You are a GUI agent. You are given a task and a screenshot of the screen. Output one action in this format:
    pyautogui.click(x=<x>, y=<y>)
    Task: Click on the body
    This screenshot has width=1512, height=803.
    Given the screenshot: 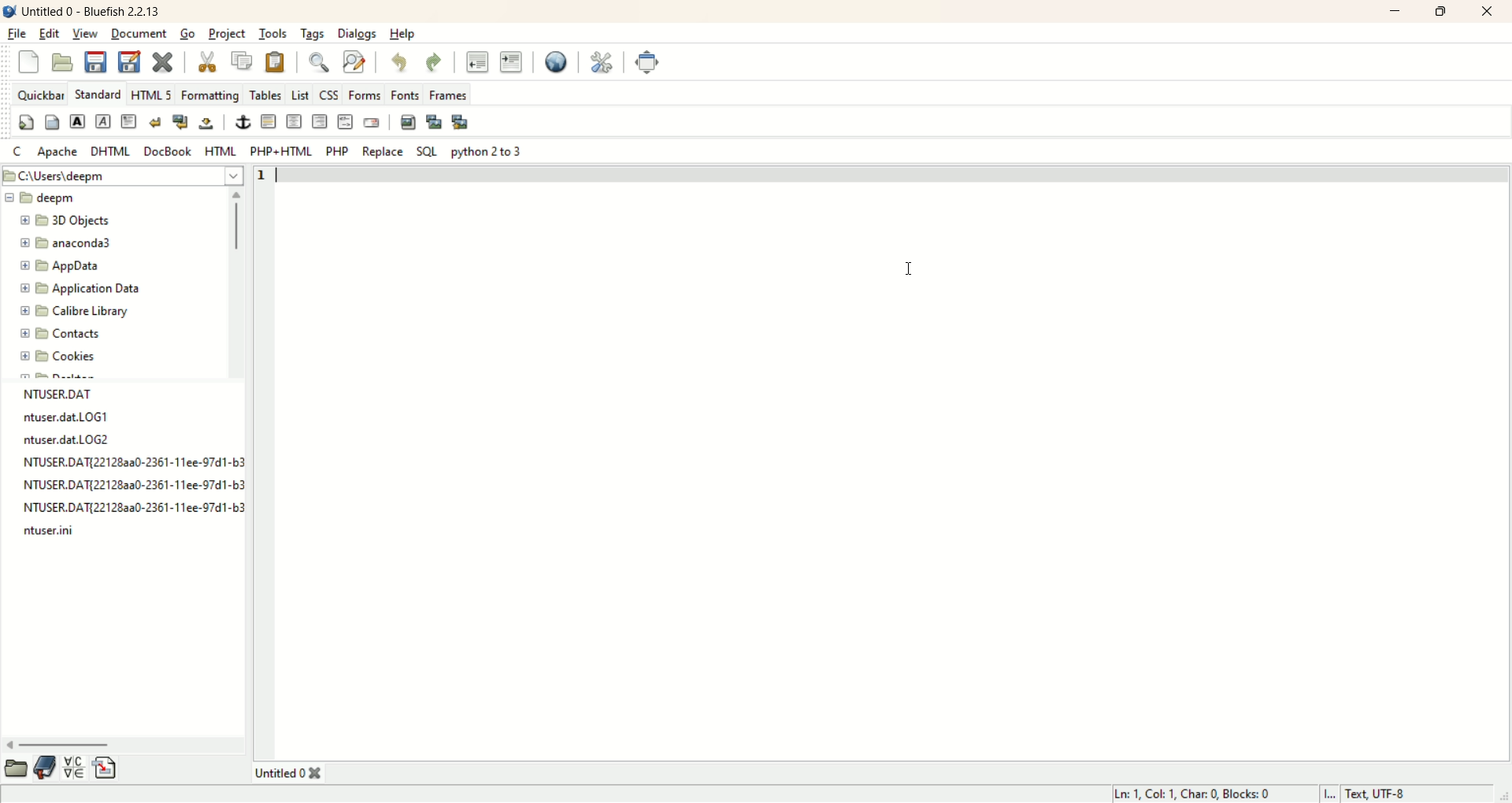 What is the action you would take?
    pyautogui.click(x=51, y=127)
    